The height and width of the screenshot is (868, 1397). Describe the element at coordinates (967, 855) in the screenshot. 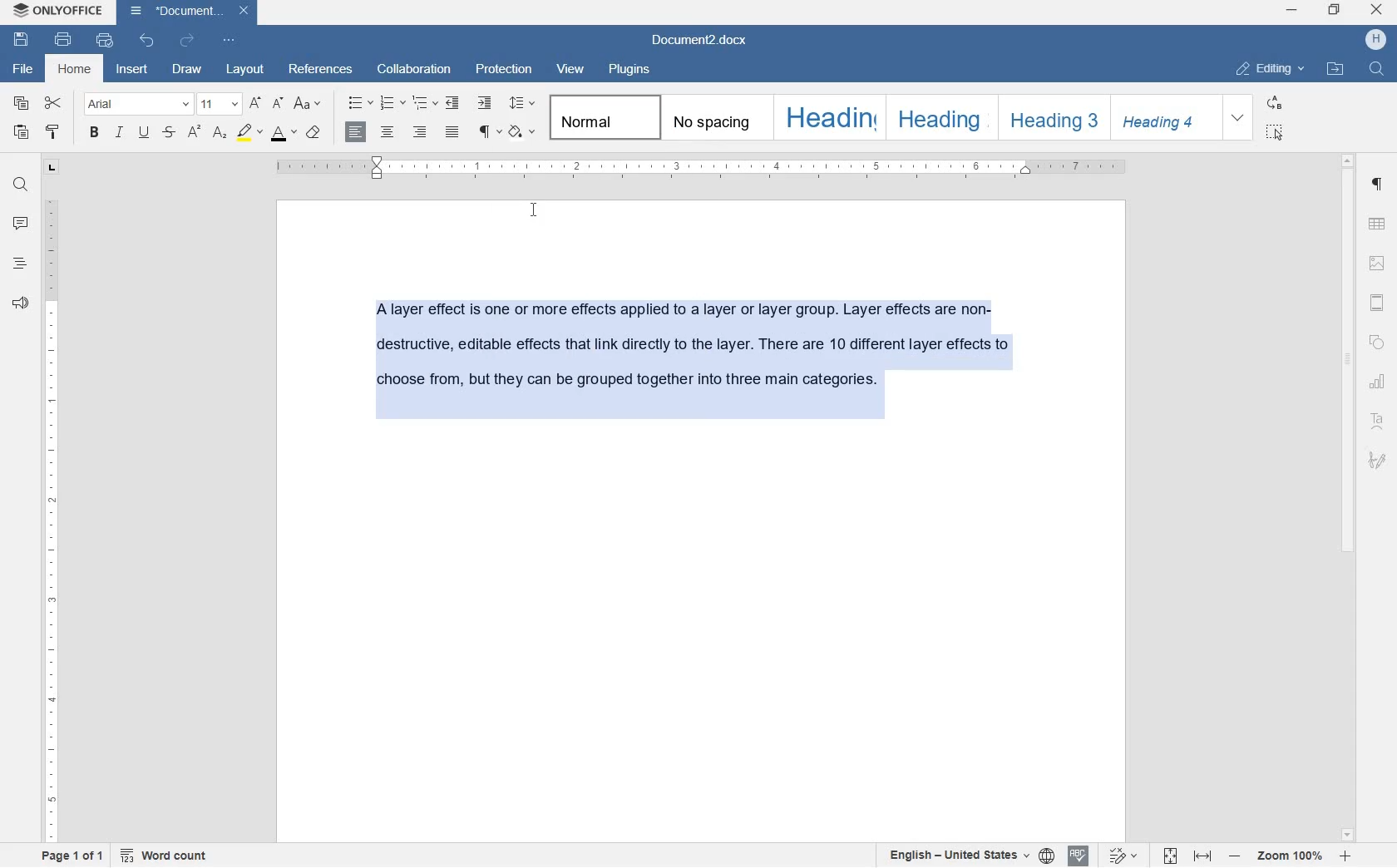

I see `set text or document language` at that location.